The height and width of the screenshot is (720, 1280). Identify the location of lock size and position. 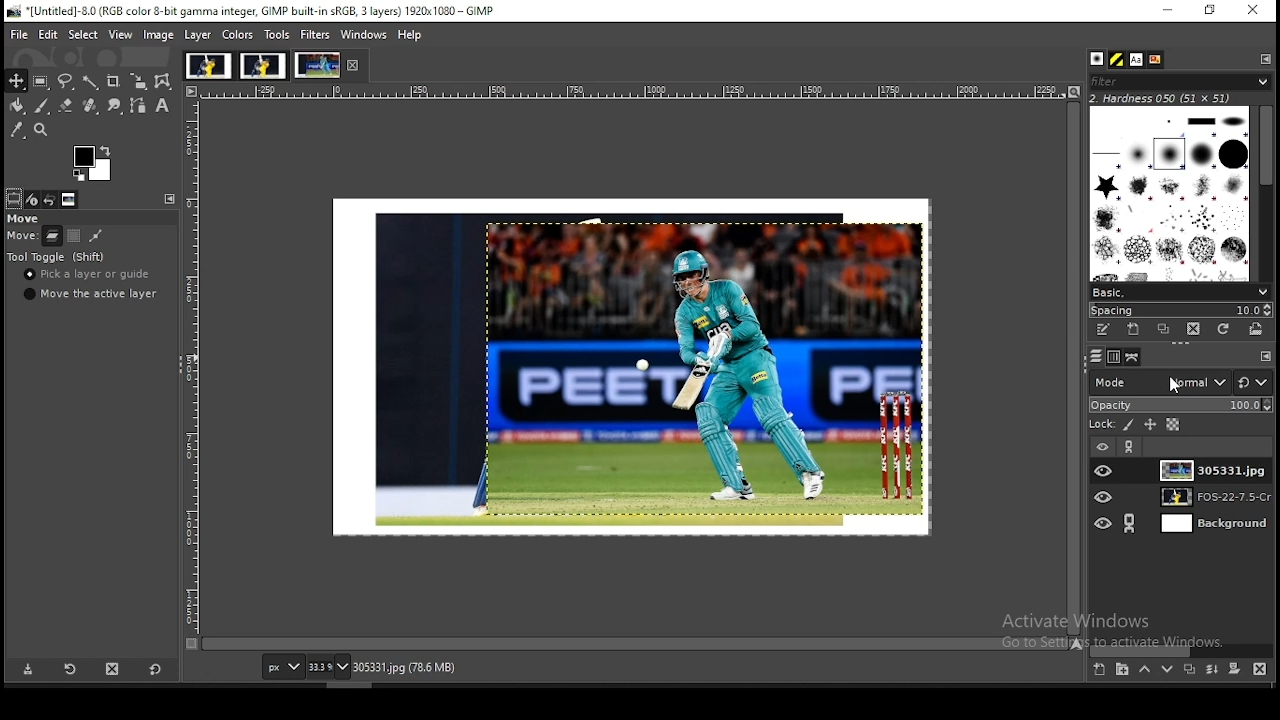
(1149, 425).